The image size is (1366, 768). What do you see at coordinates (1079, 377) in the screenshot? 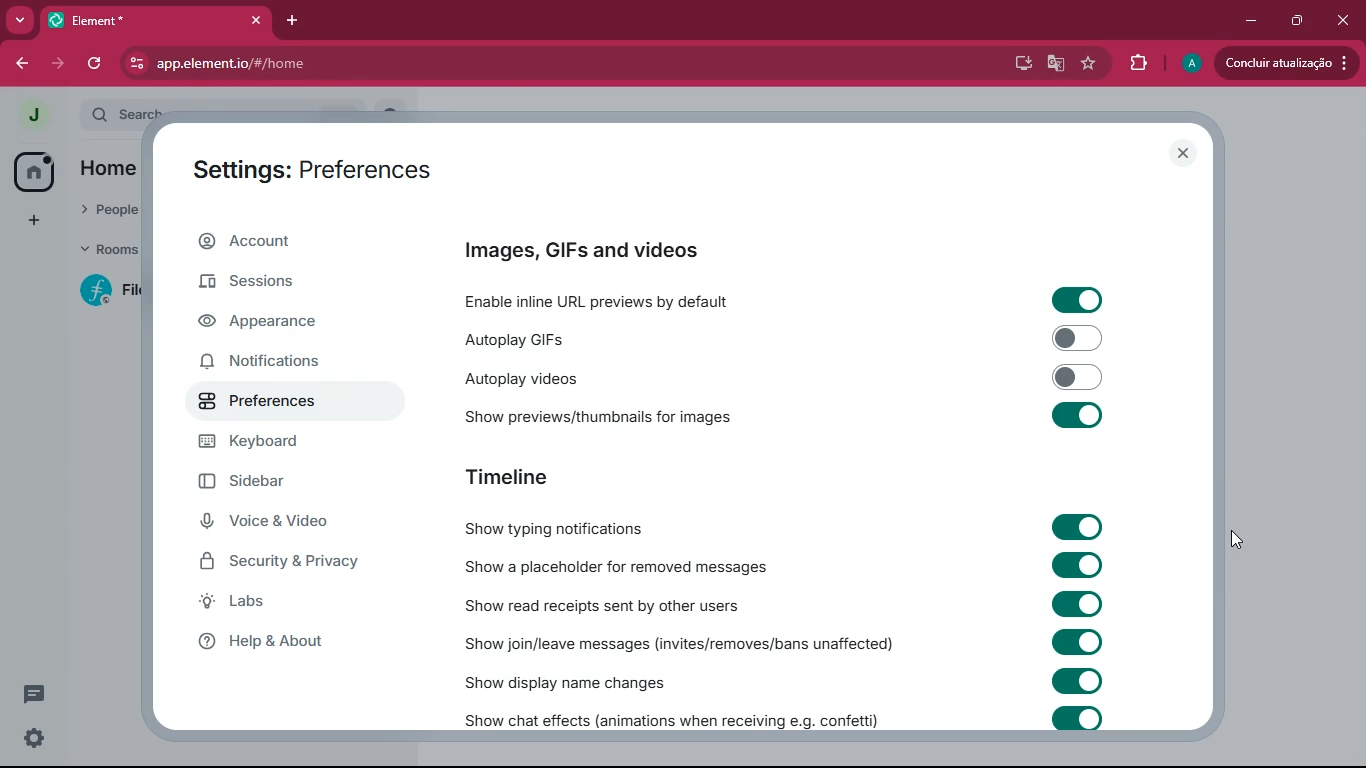
I see `toggle on/off` at bounding box center [1079, 377].